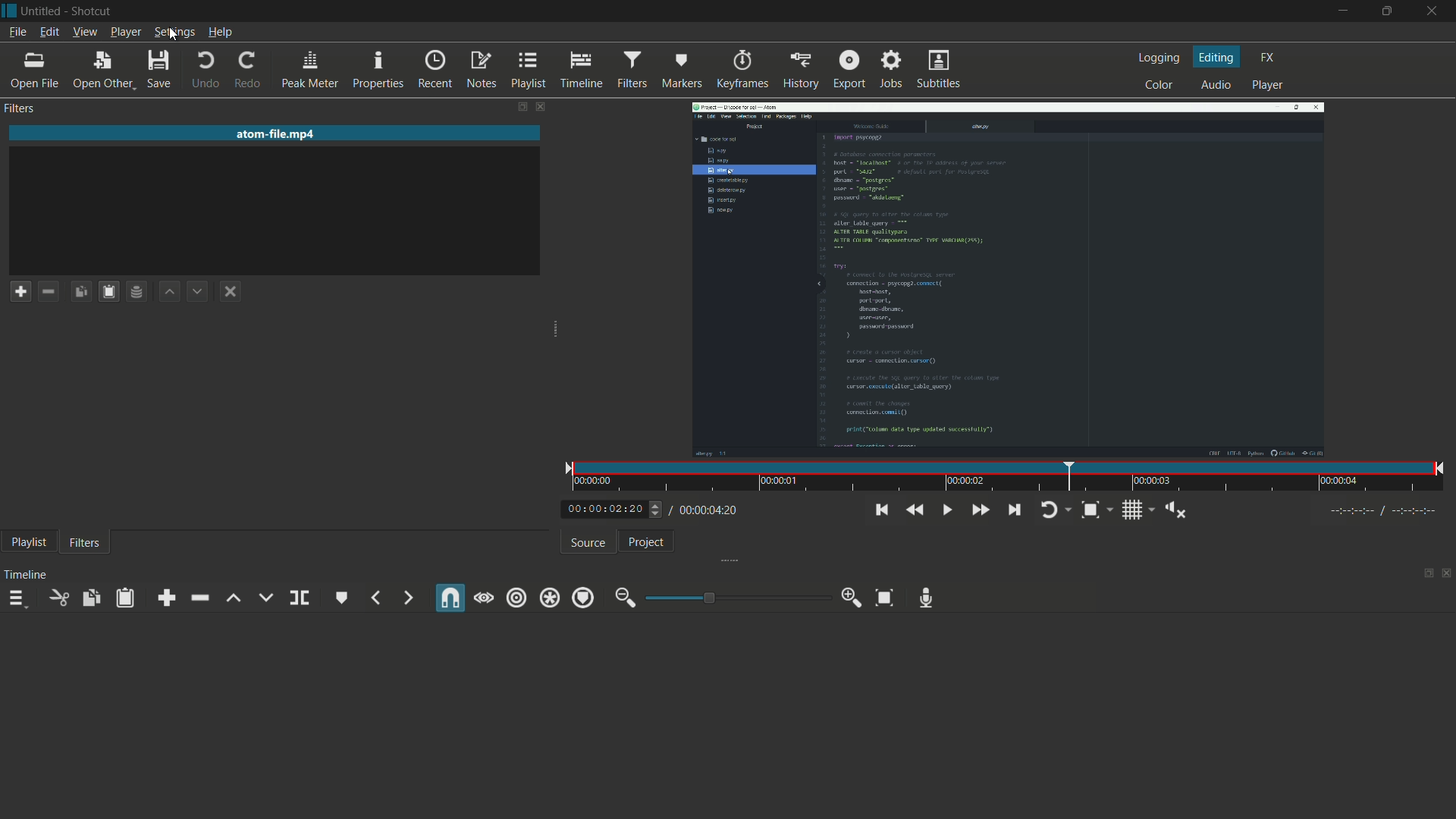 Image resolution: width=1456 pixels, height=819 pixels. I want to click on maximize, so click(1387, 11).